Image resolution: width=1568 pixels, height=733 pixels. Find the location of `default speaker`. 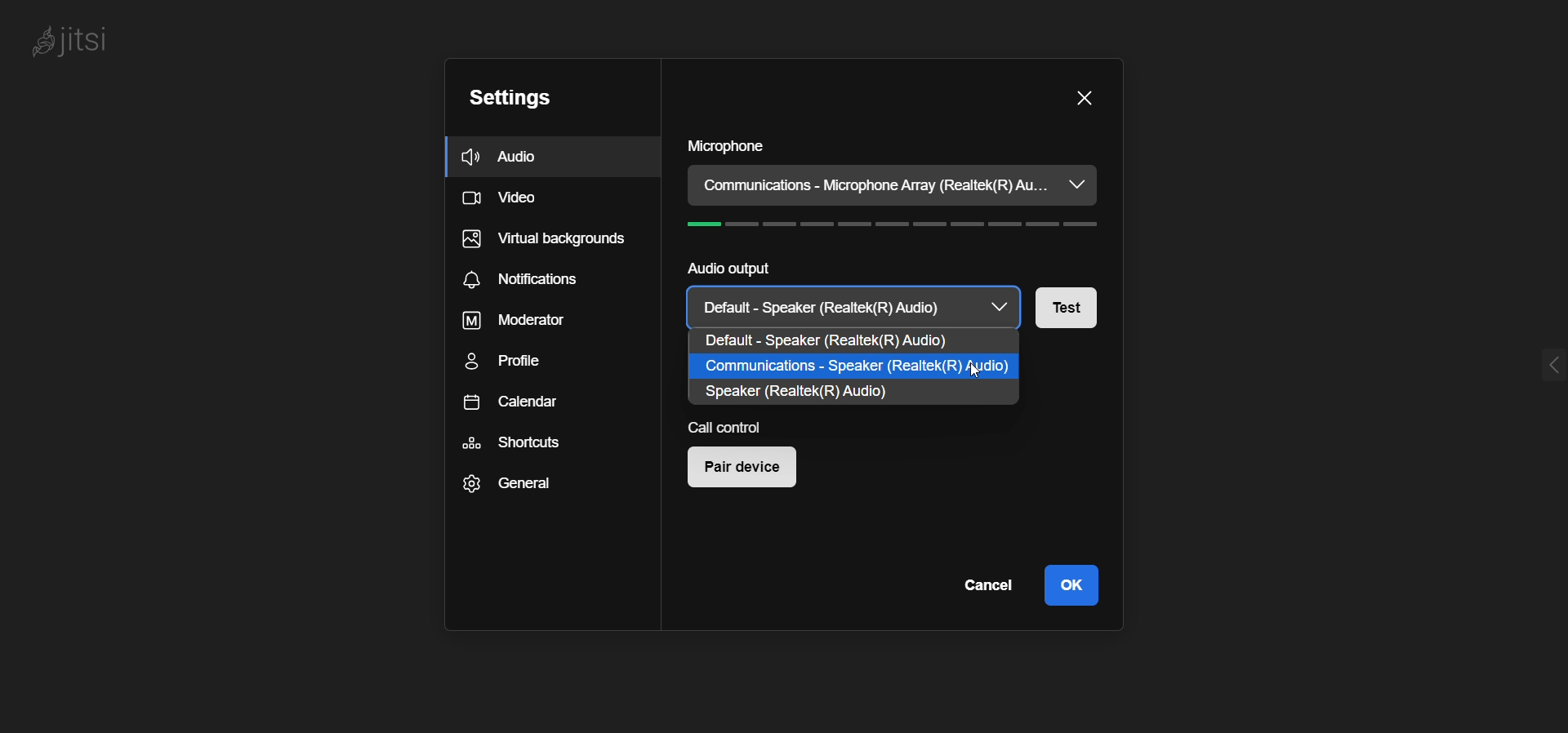

default speaker is located at coordinates (853, 342).